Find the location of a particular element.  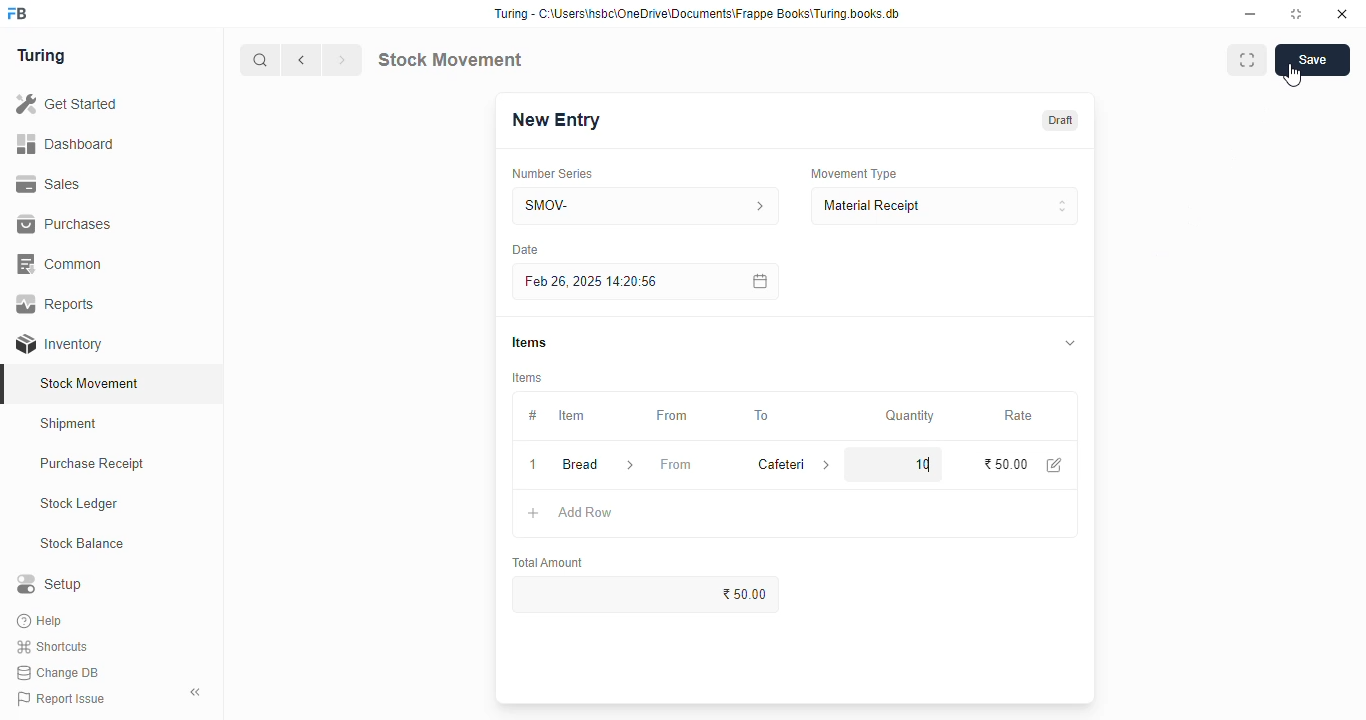

from is located at coordinates (676, 464).